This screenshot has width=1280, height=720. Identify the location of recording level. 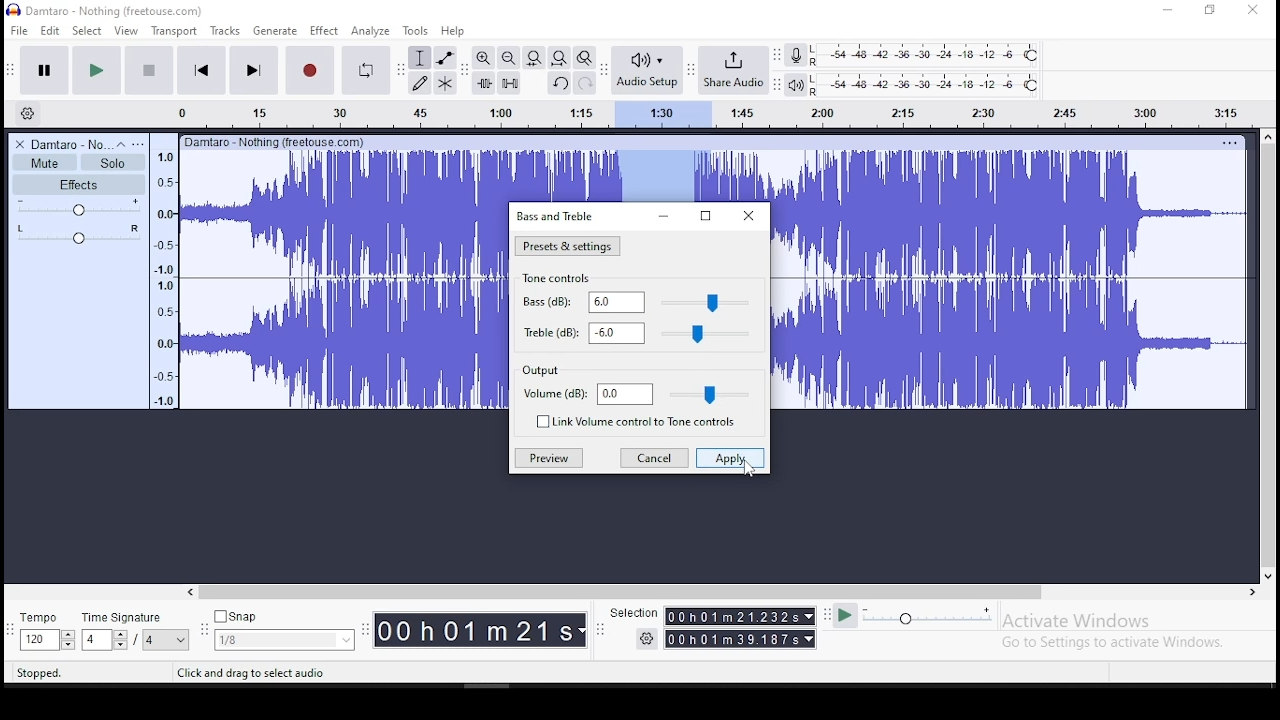
(927, 54).